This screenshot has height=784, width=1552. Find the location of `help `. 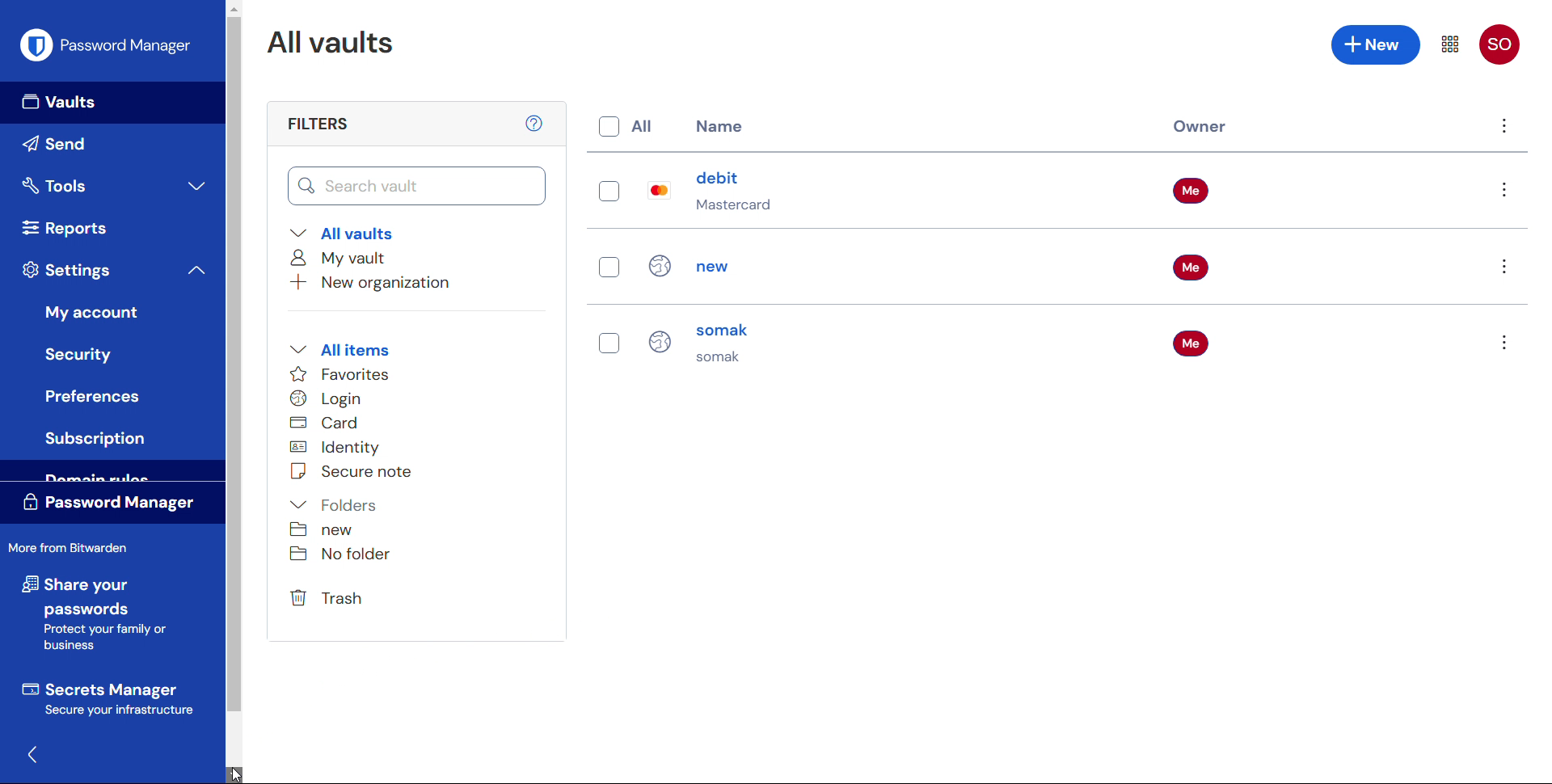

help  is located at coordinates (533, 124).